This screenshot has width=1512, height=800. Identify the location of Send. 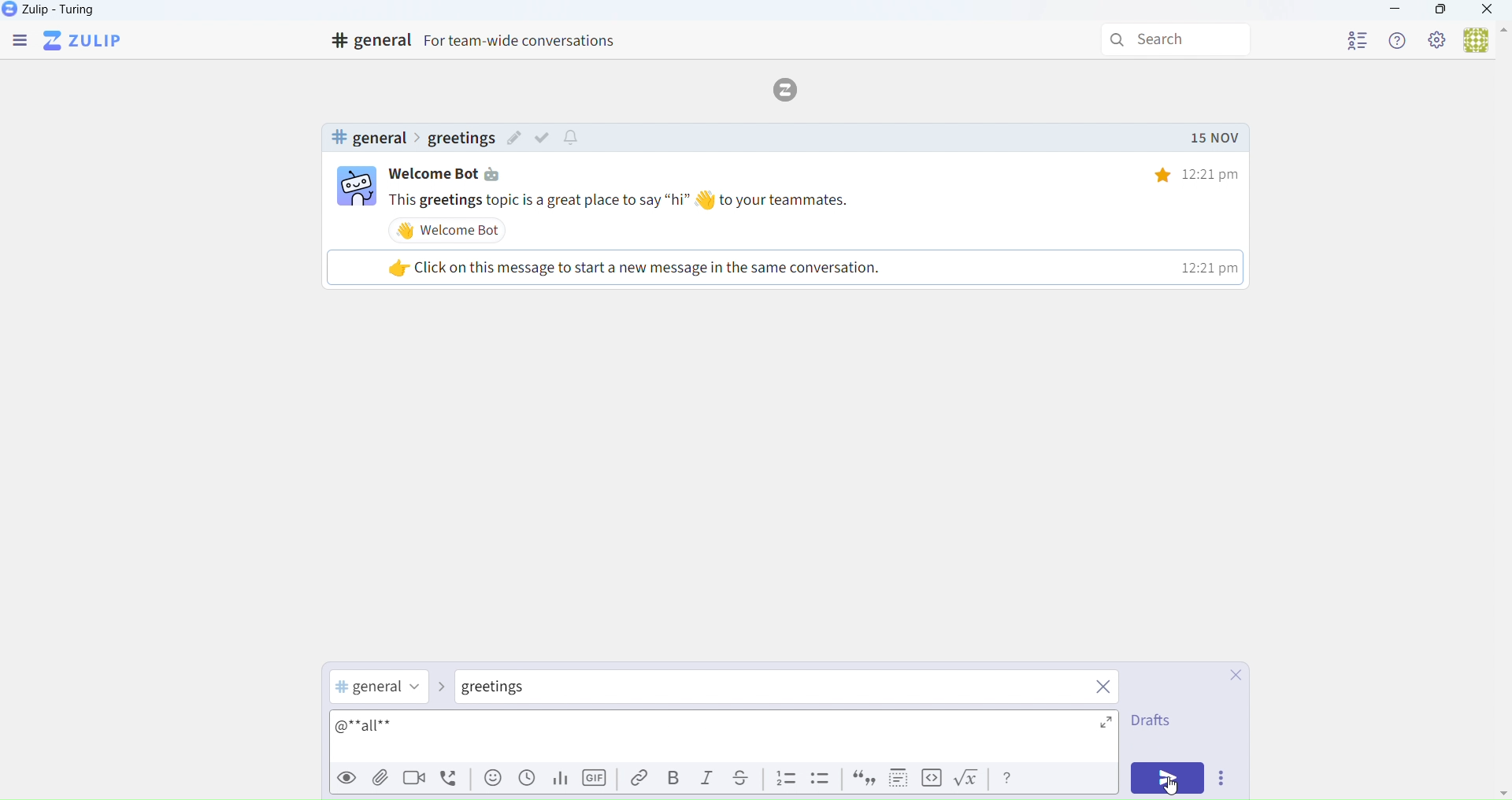
(1169, 779).